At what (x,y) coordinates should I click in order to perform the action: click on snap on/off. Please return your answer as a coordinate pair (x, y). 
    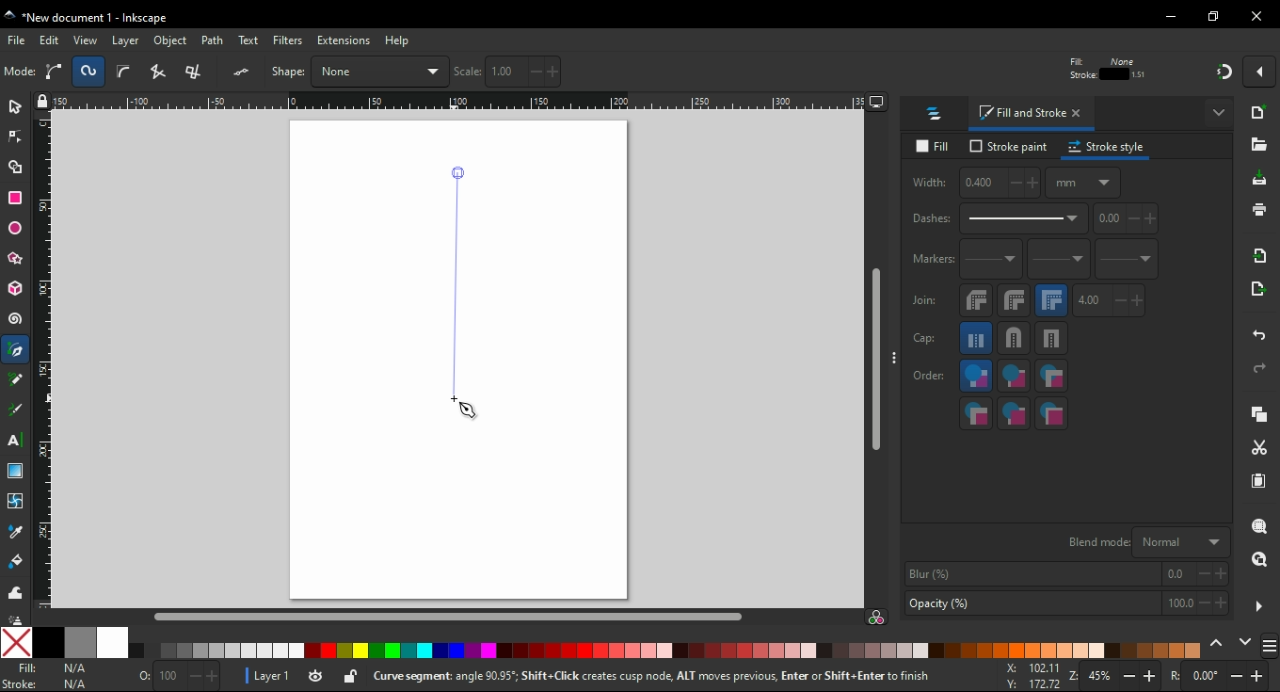
    Looking at the image, I should click on (1224, 70).